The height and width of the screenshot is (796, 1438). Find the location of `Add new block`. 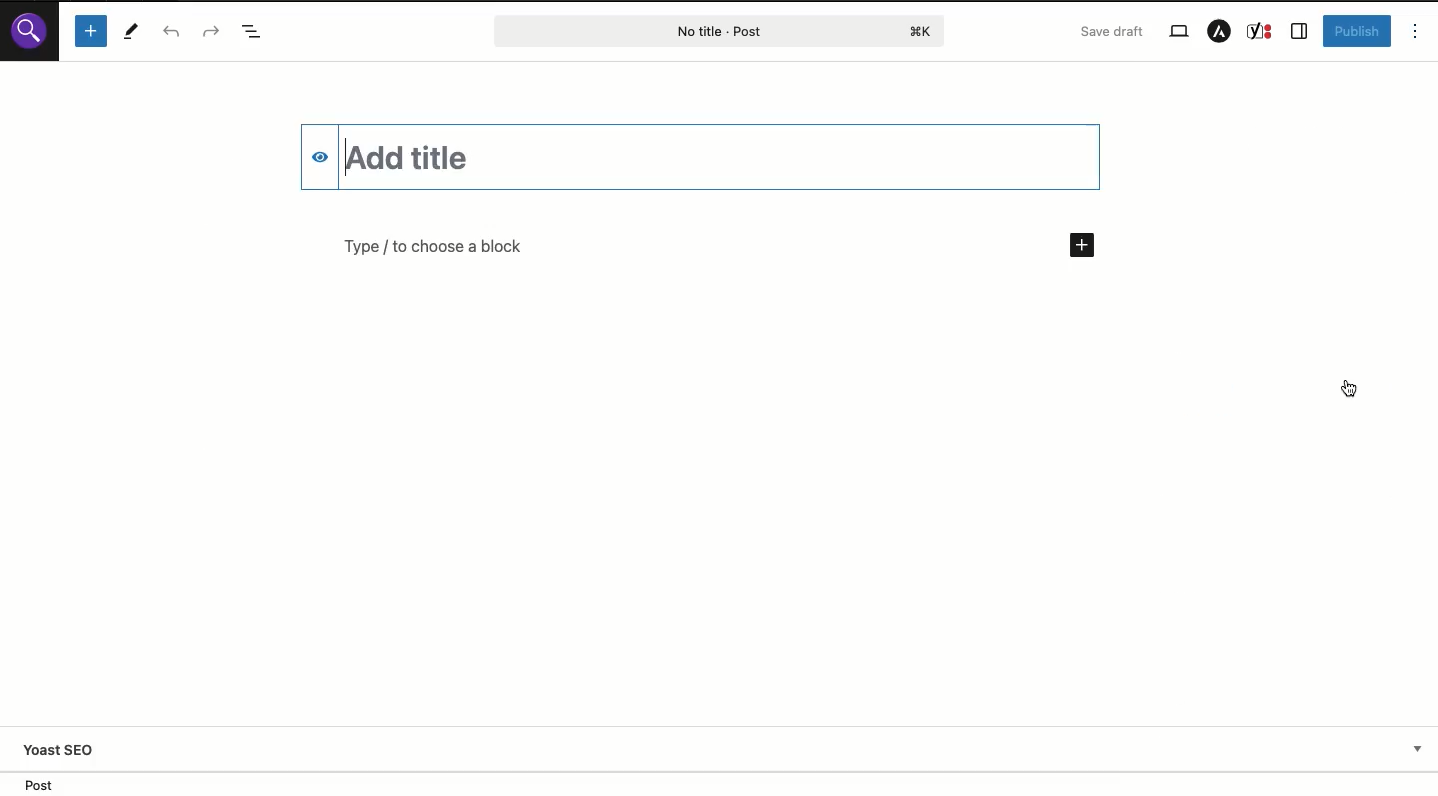

Add new block is located at coordinates (1081, 244).